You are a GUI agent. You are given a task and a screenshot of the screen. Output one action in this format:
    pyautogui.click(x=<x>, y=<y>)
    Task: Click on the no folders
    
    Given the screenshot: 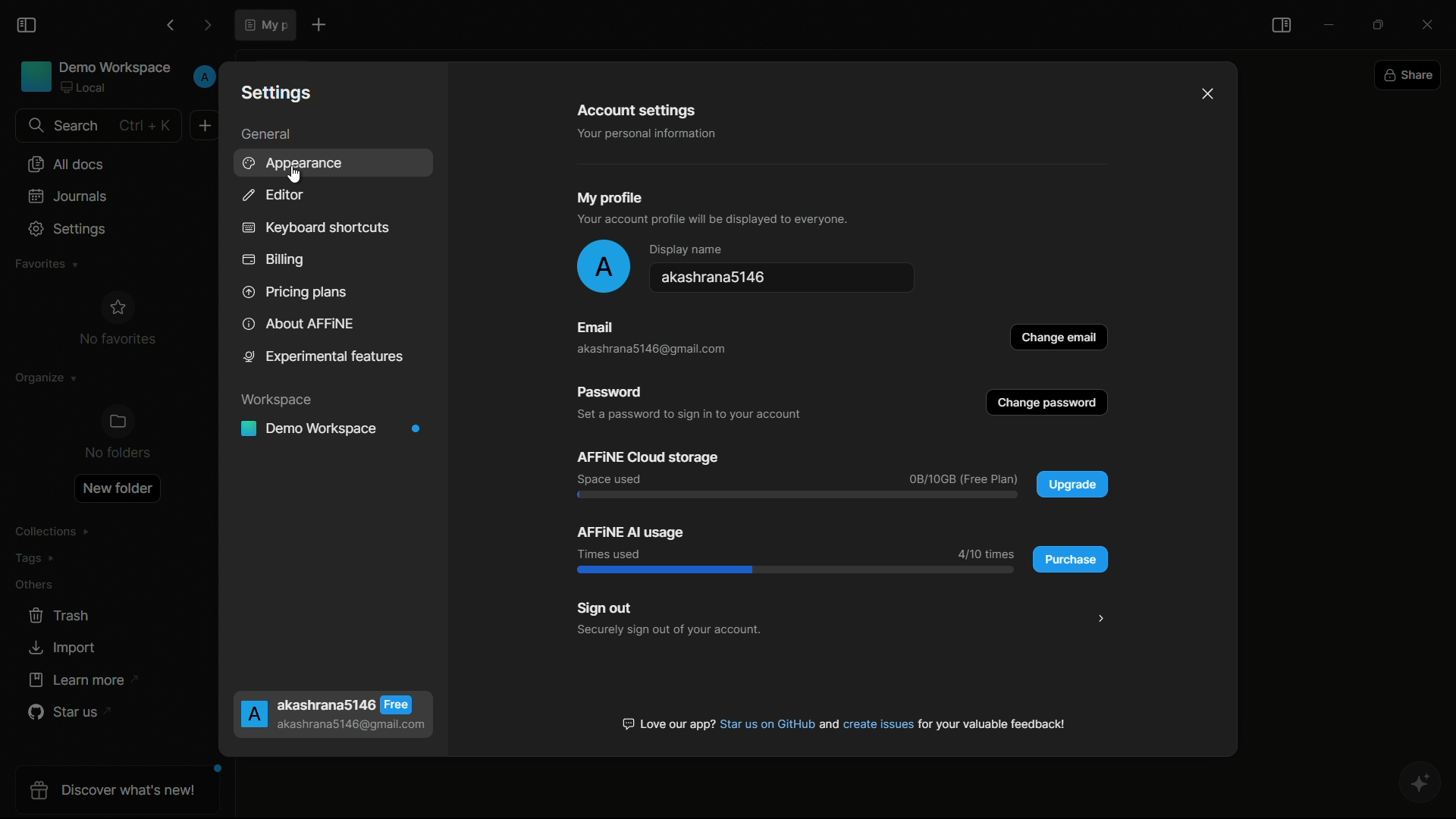 What is the action you would take?
    pyautogui.click(x=120, y=435)
    